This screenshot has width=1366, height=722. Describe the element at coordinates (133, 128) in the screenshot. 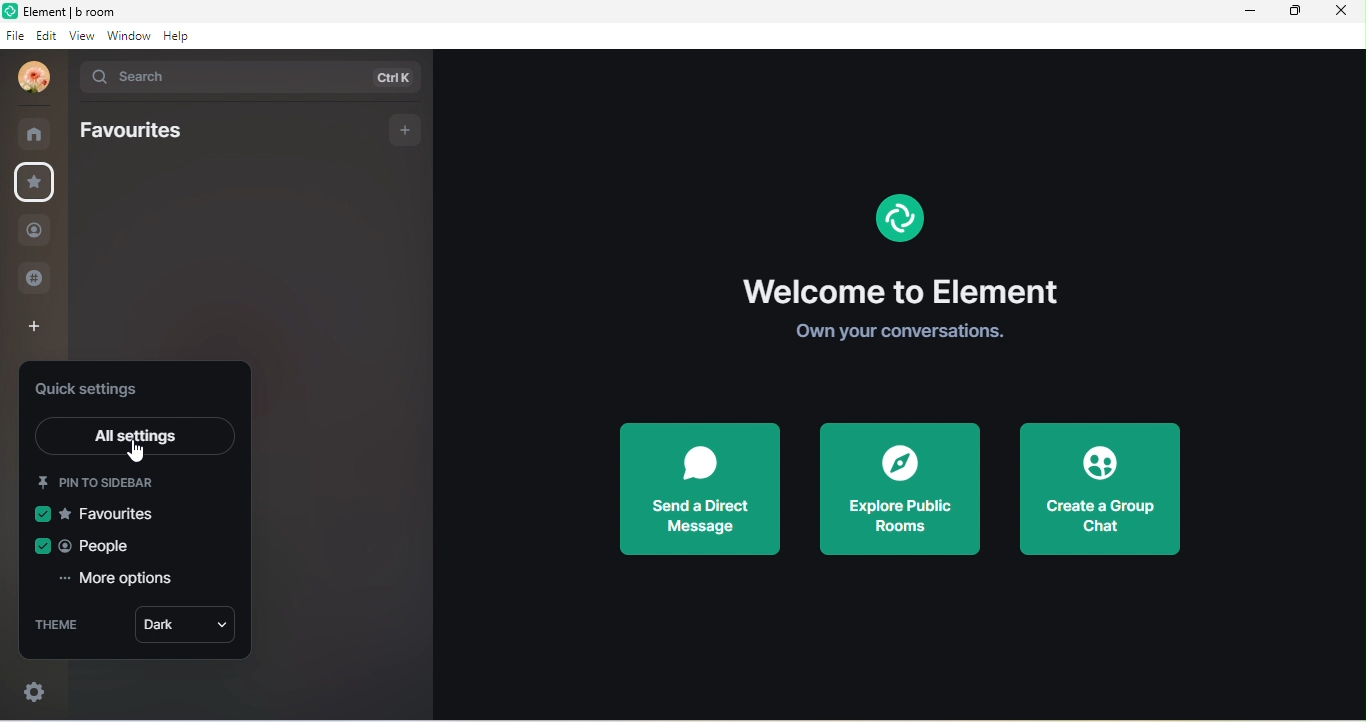

I see `favourites` at that location.